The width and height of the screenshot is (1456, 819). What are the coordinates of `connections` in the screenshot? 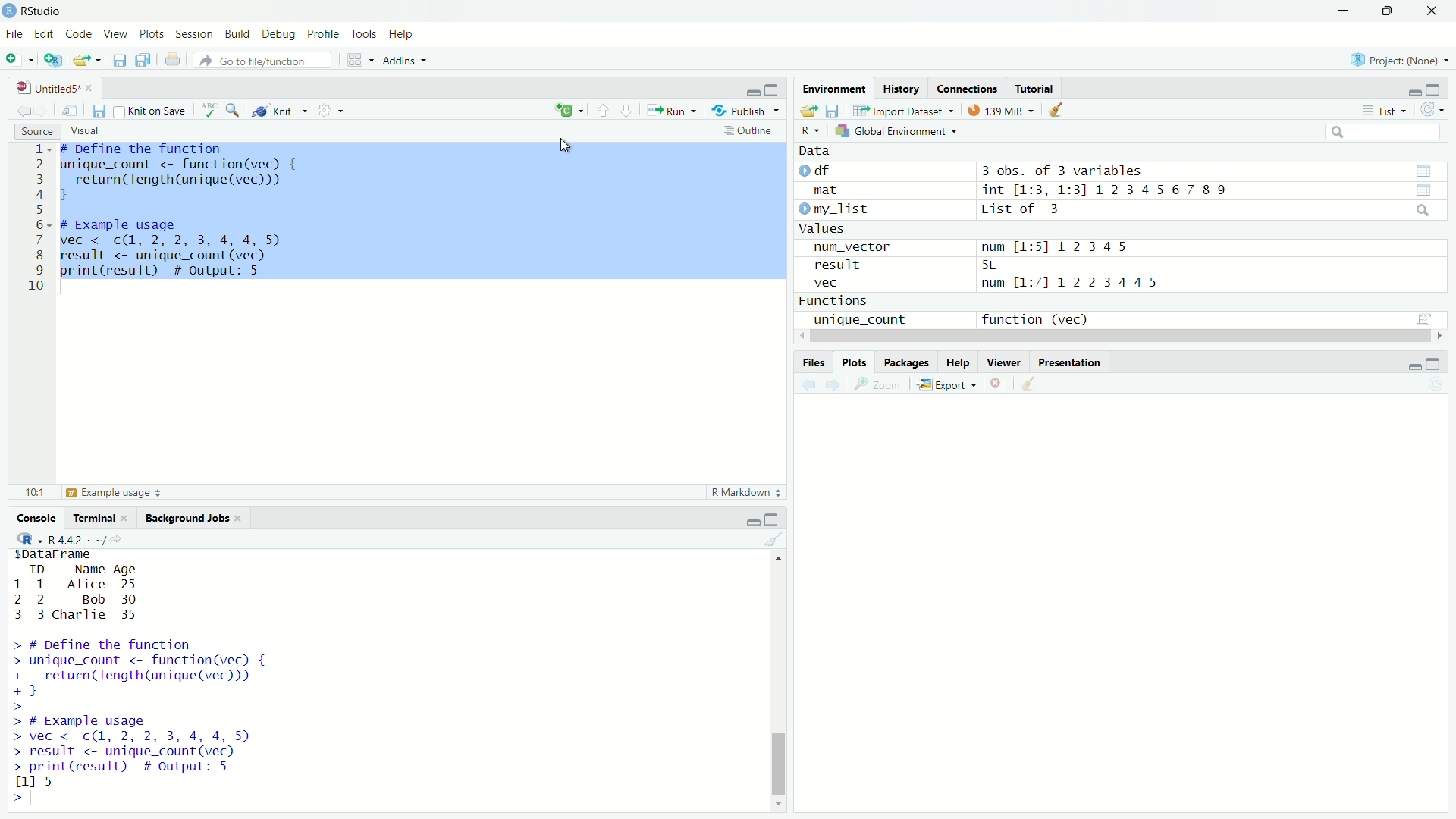 It's located at (967, 88).